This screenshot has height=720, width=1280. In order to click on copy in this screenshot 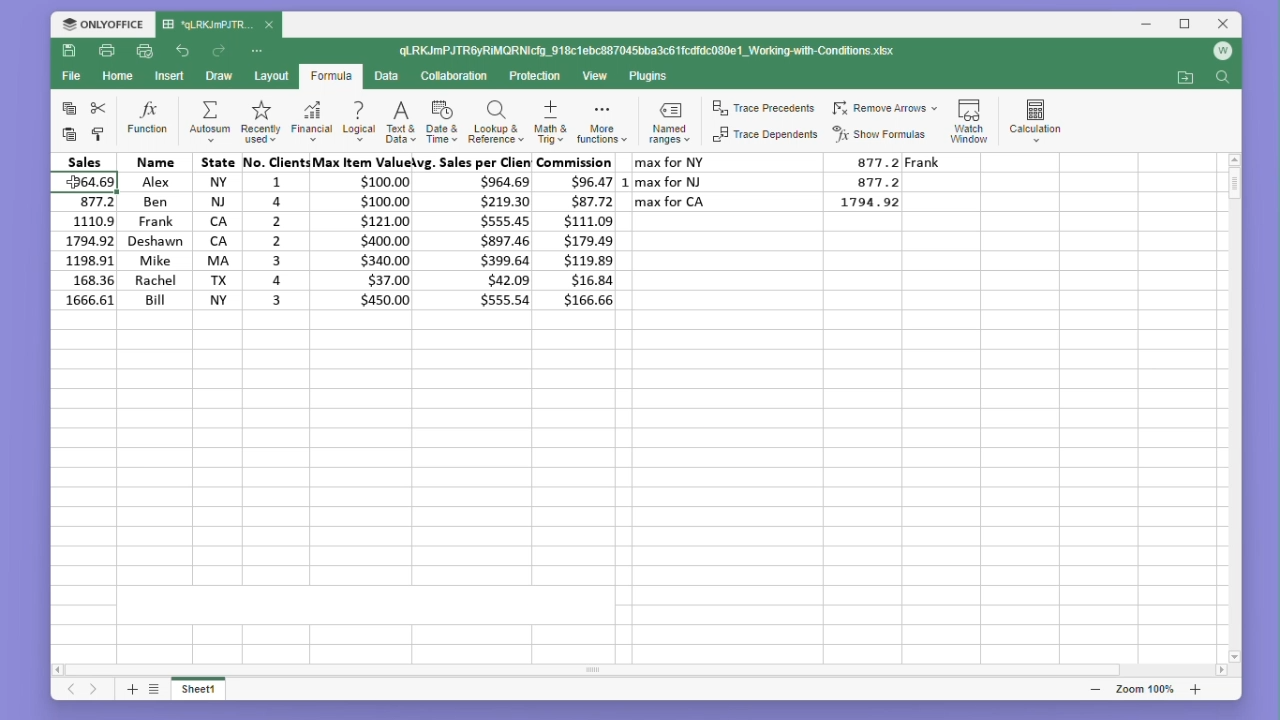, I will do `click(66, 108)`.